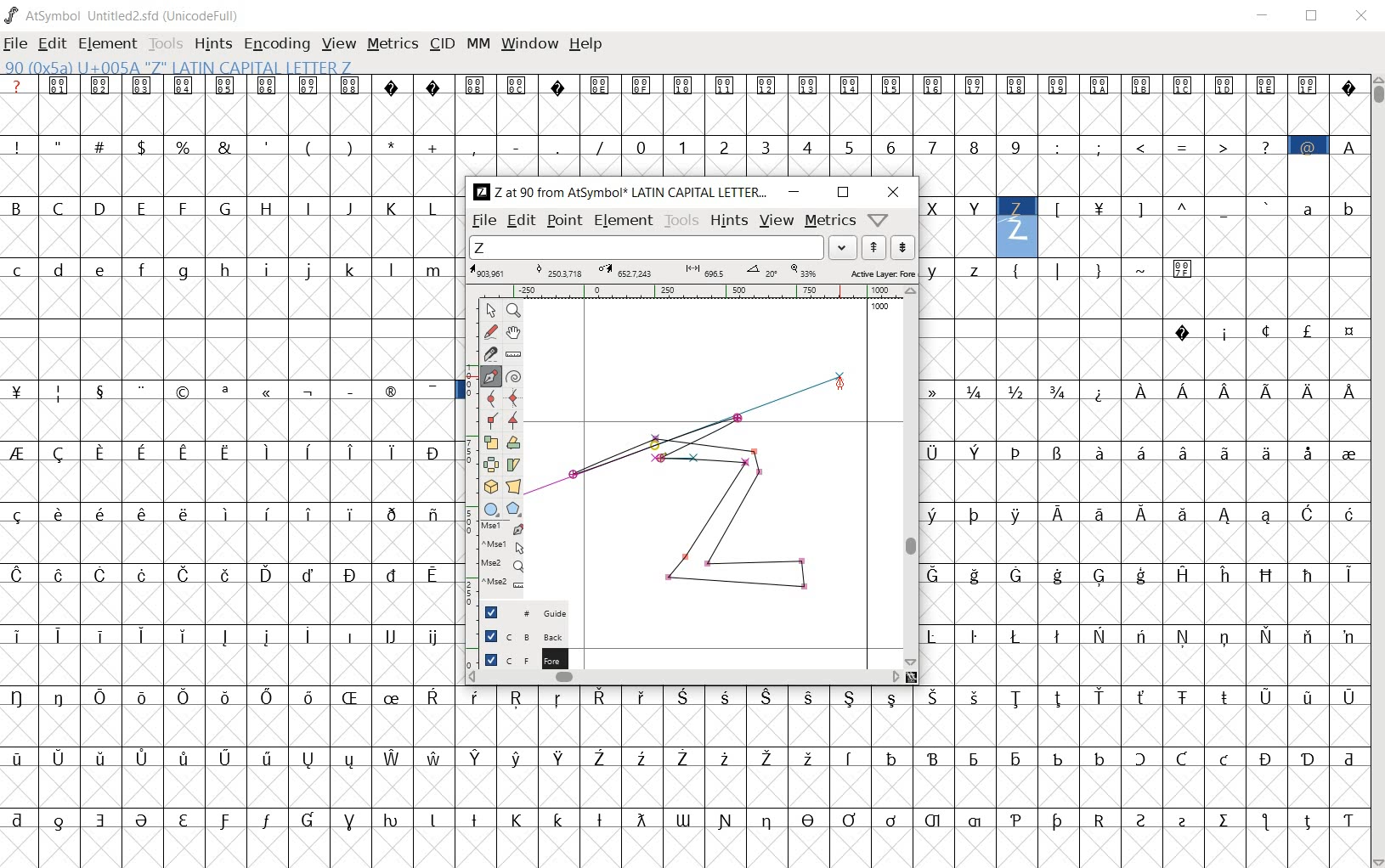  Describe the element at coordinates (213, 45) in the screenshot. I see `hints` at that location.